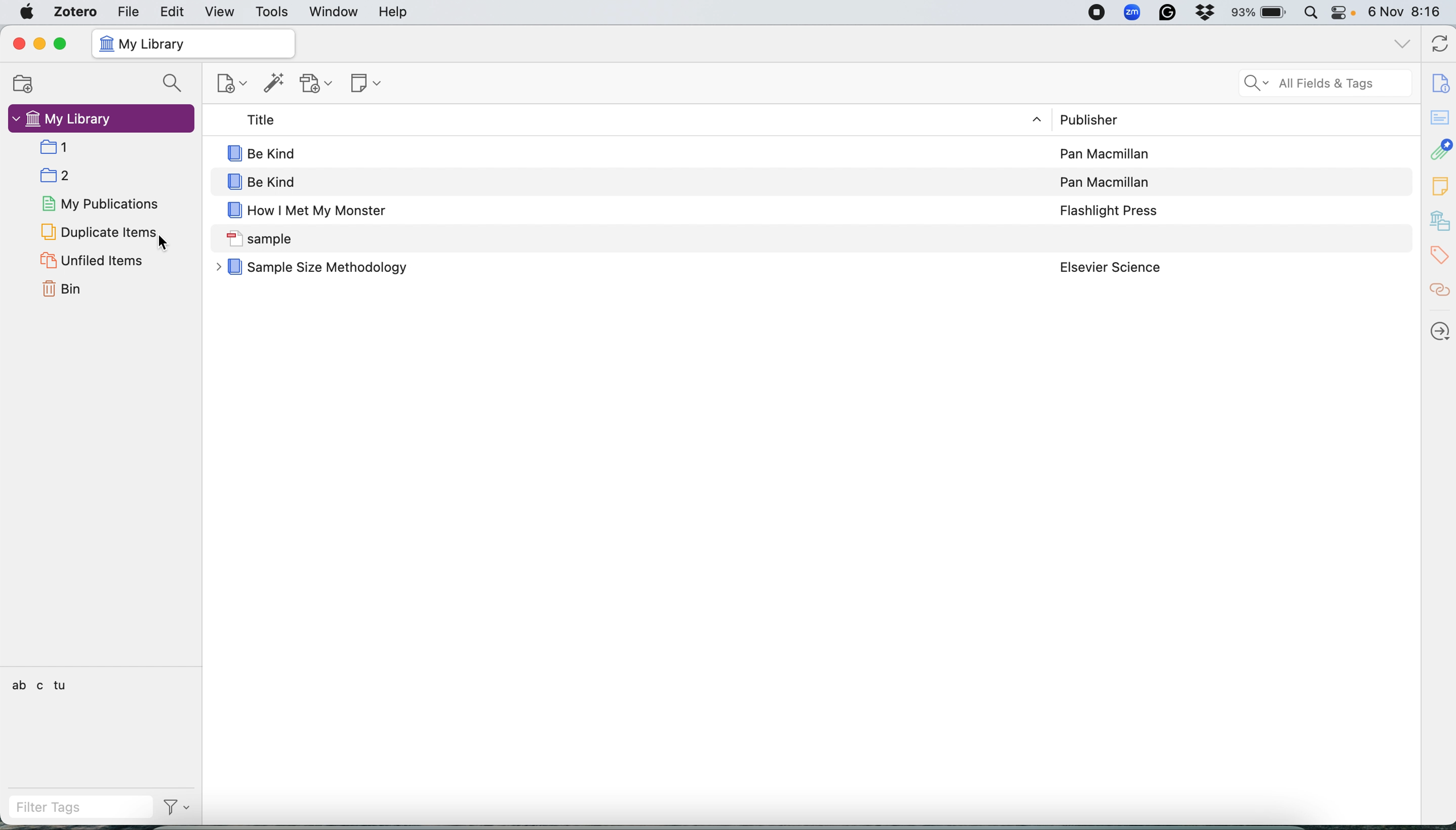 This screenshot has width=1456, height=830. Describe the element at coordinates (64, 807) in the screenshot. I see `filter tags` at that location.